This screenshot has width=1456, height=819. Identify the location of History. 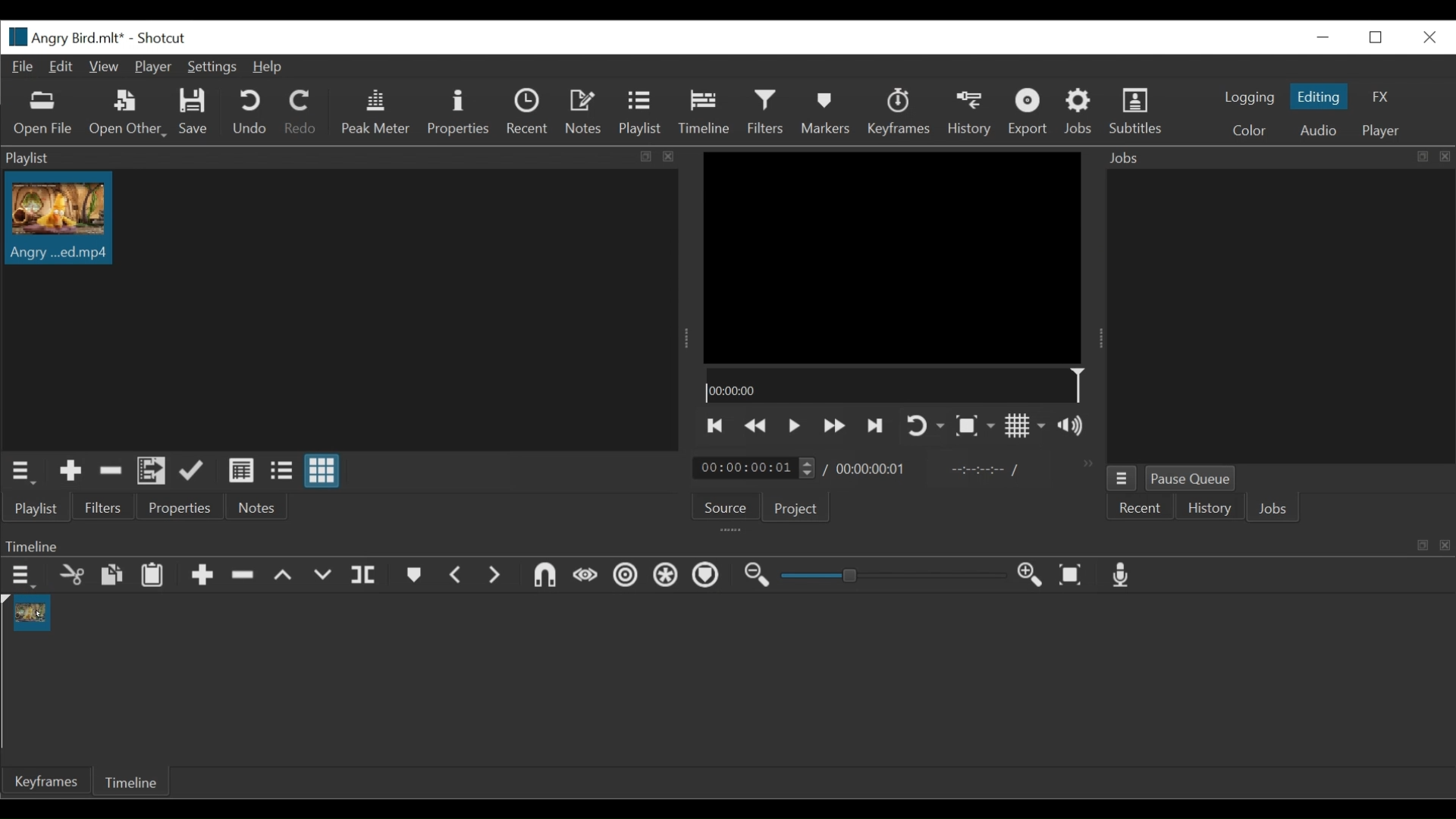
(971, 115).